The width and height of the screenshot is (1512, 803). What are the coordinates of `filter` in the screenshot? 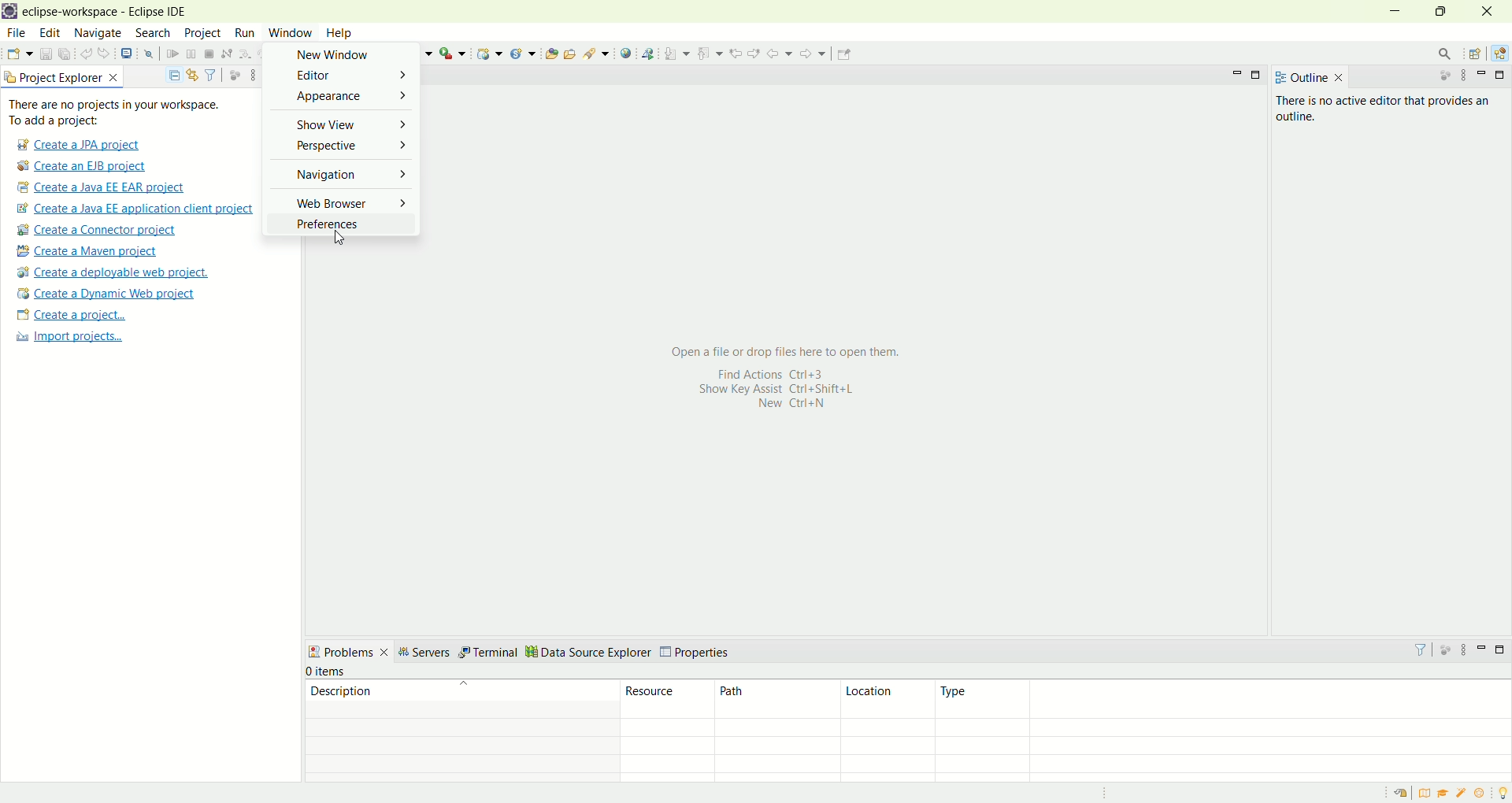 It's located at (1414, 649).